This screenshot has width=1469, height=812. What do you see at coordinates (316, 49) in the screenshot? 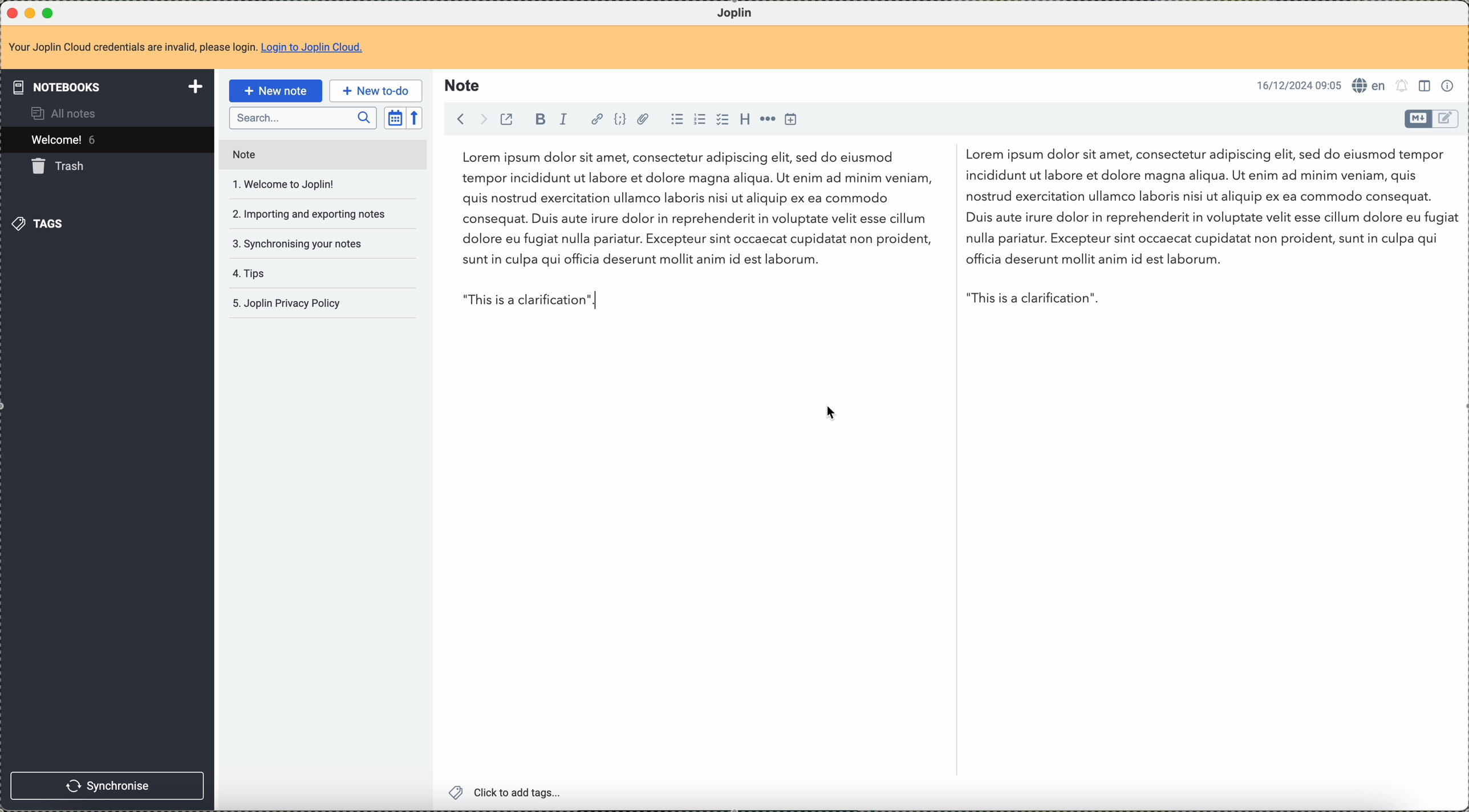
I see `Login to Joplin Cloud.` at bounding box center [316, 49].